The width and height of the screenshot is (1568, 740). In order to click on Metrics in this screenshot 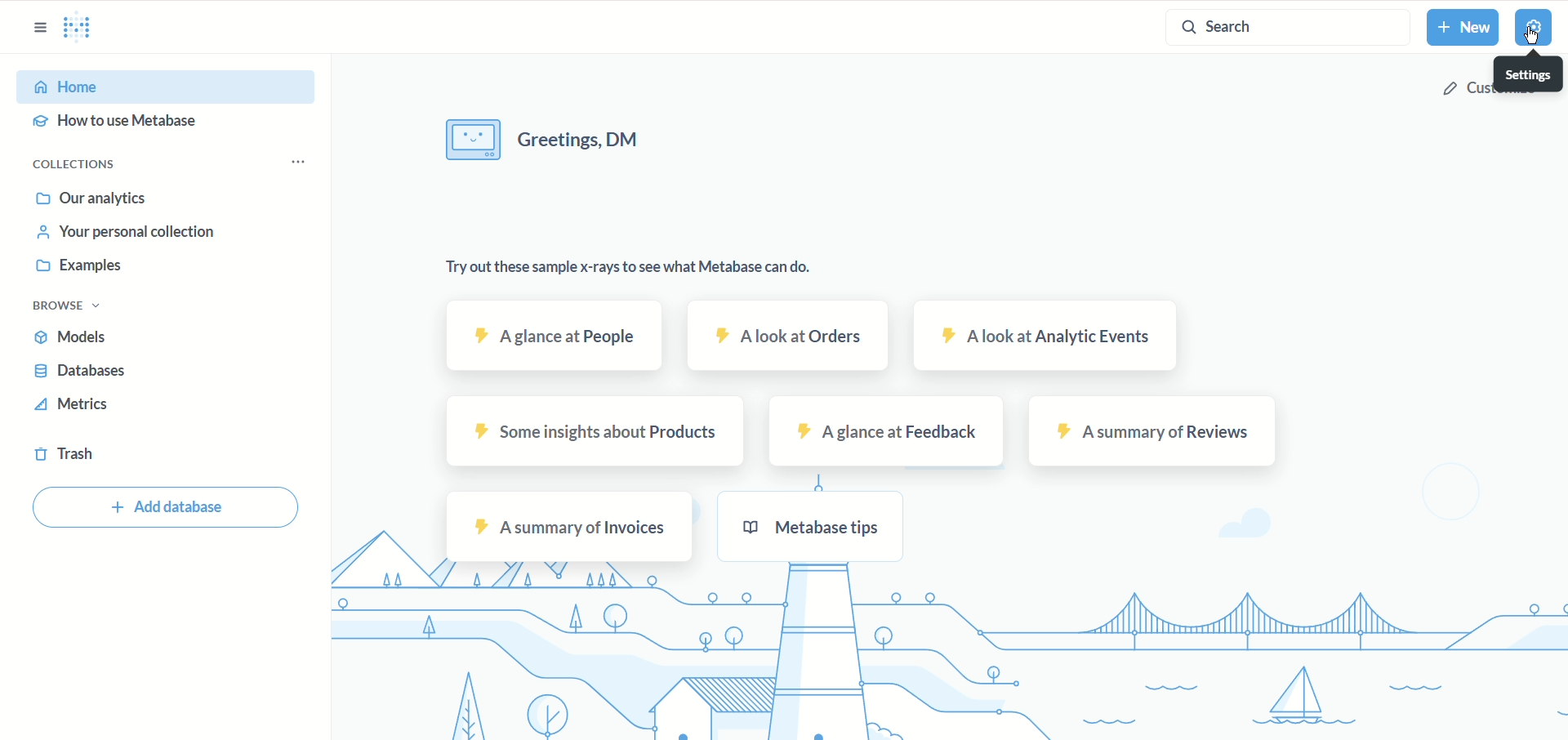, I will do `click(144, 403)`.